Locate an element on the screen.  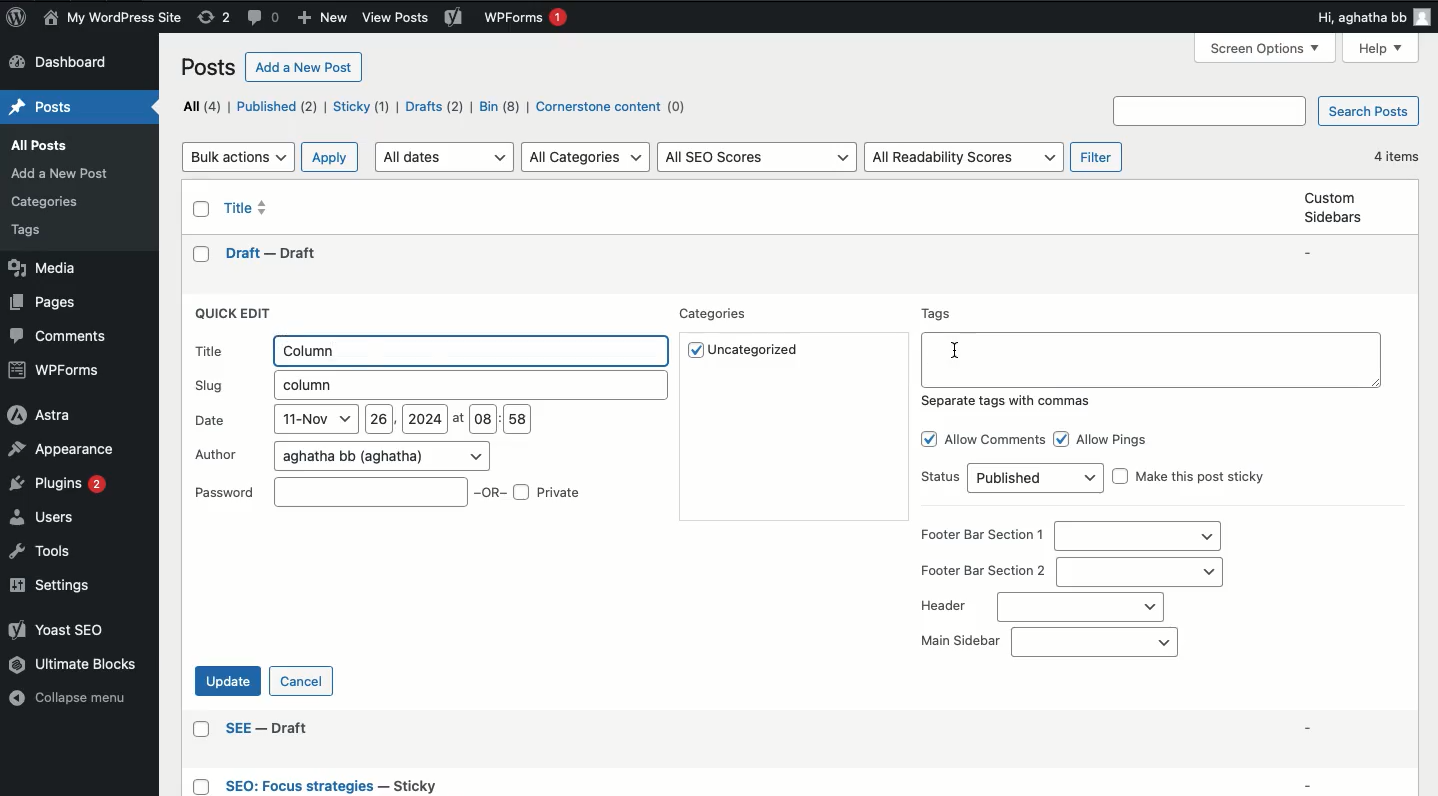
2024 is located at coordinates (425, 418).